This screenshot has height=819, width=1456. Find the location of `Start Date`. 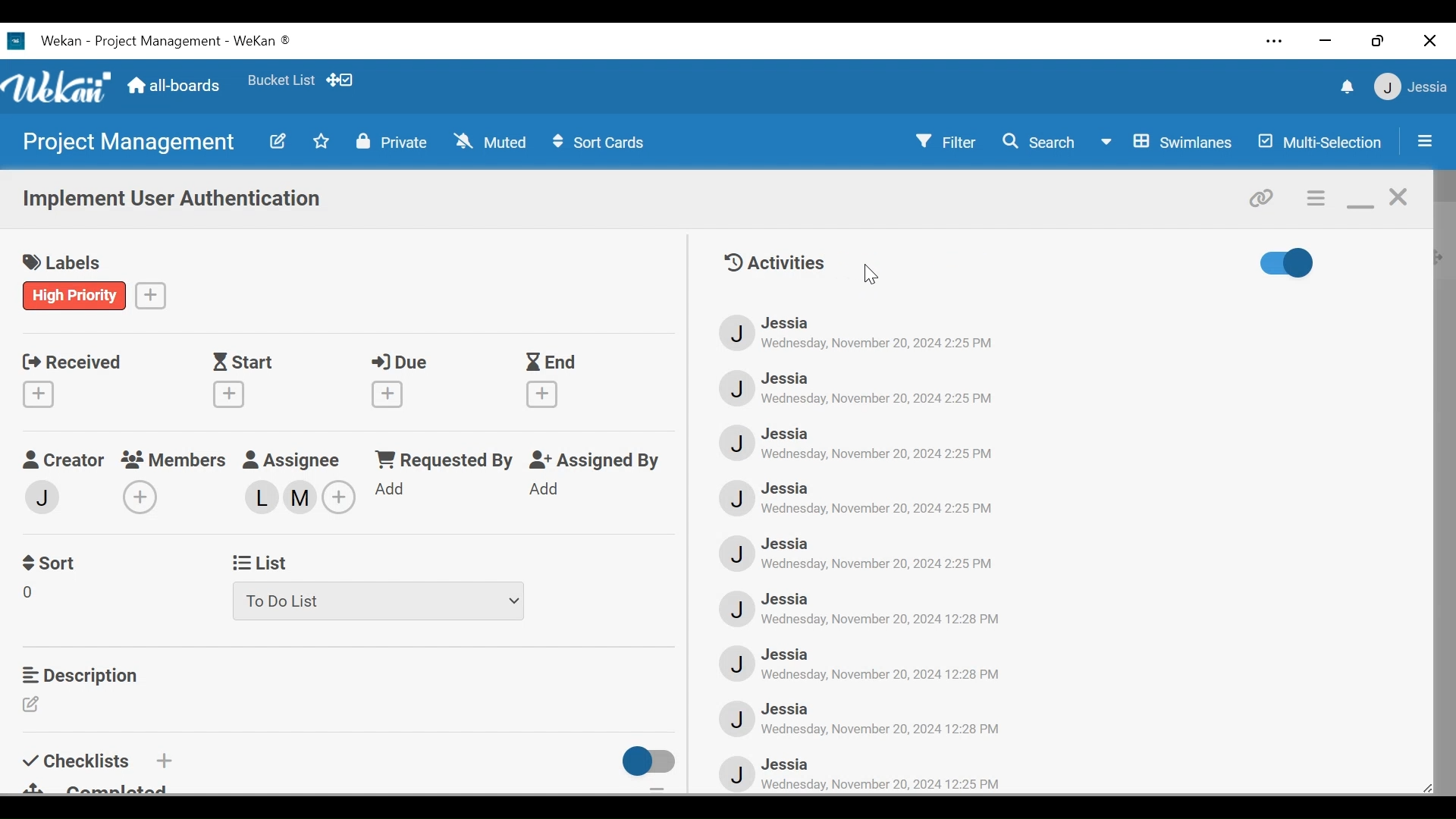

Start Date is located at coordinates (243, 362).